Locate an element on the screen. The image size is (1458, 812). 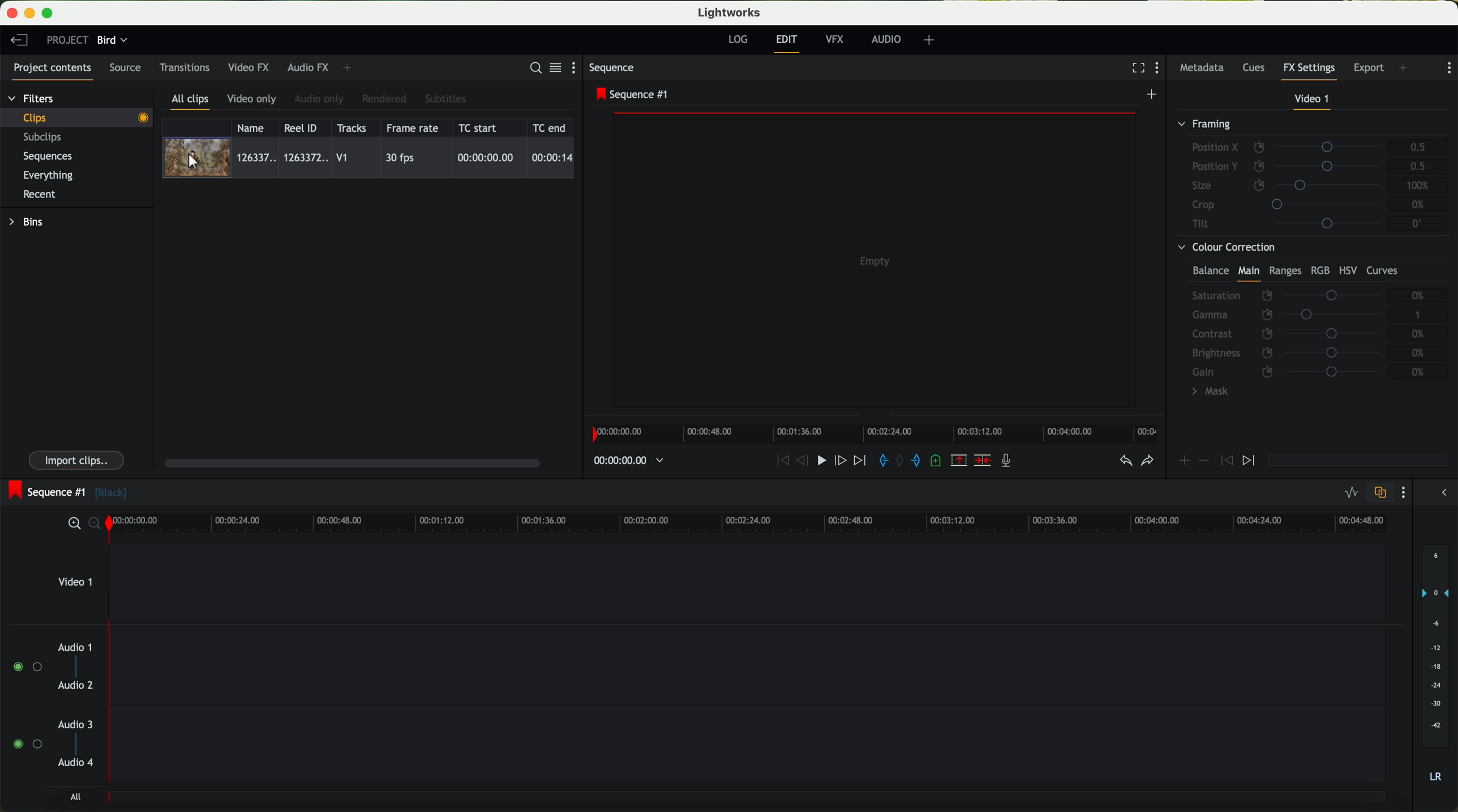
0.5 is located at coordinates (1418, 148).